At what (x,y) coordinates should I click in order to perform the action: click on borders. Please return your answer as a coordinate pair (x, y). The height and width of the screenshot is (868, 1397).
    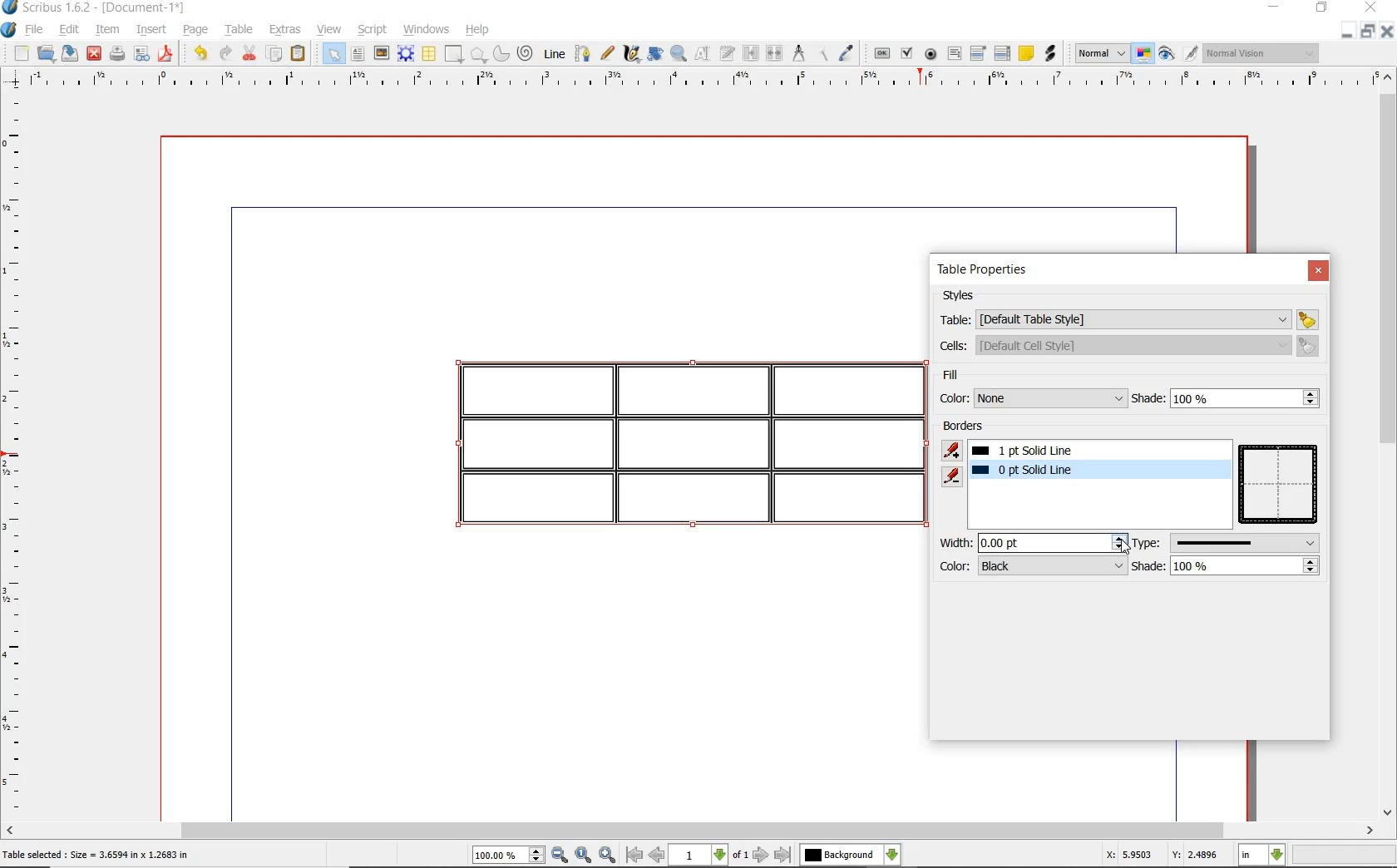
    Looking at the image, I should click on (966, 427).